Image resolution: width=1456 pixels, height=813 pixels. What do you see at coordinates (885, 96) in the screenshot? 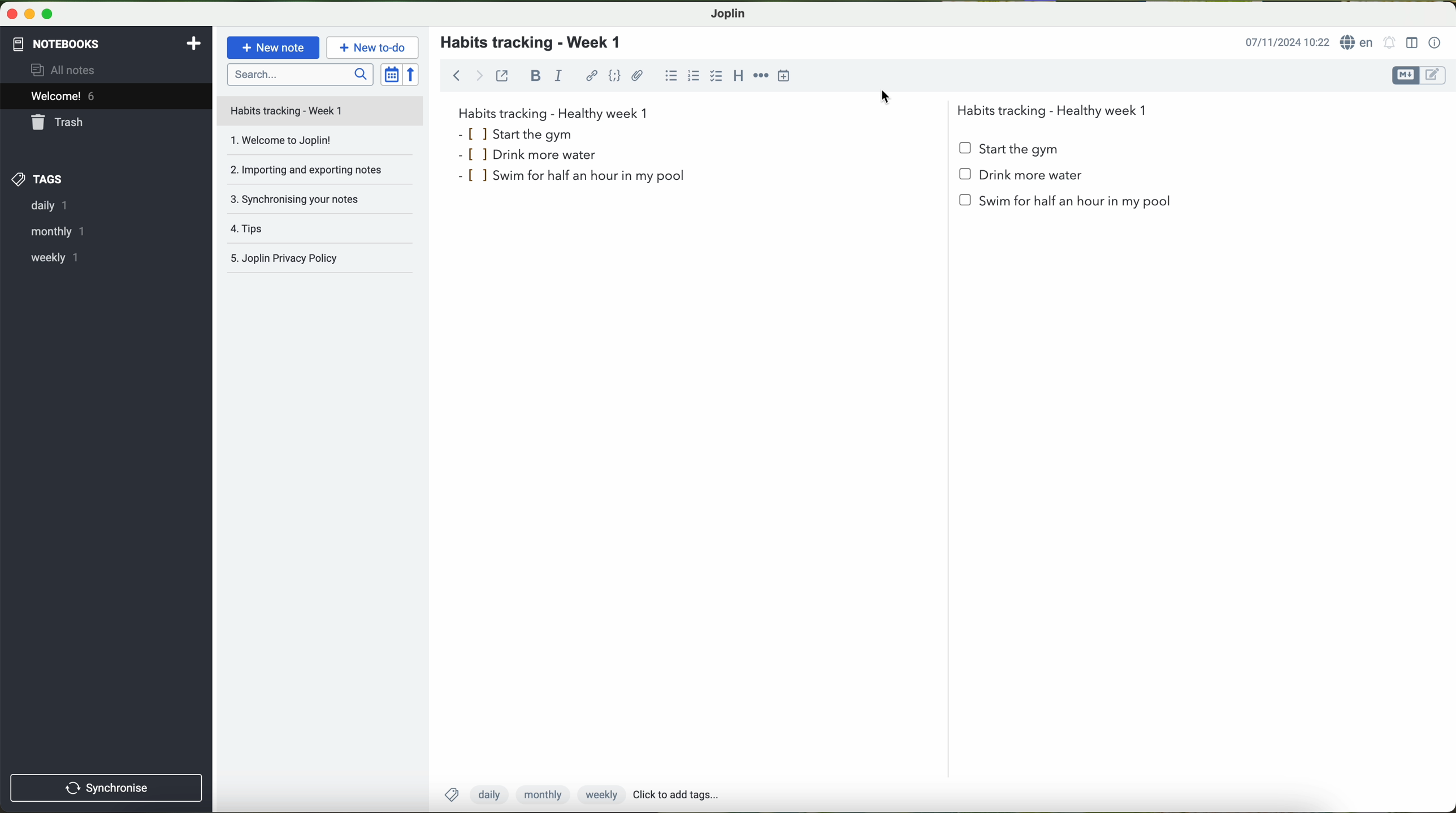
I see `pointer` at bounding box center [885, 96].